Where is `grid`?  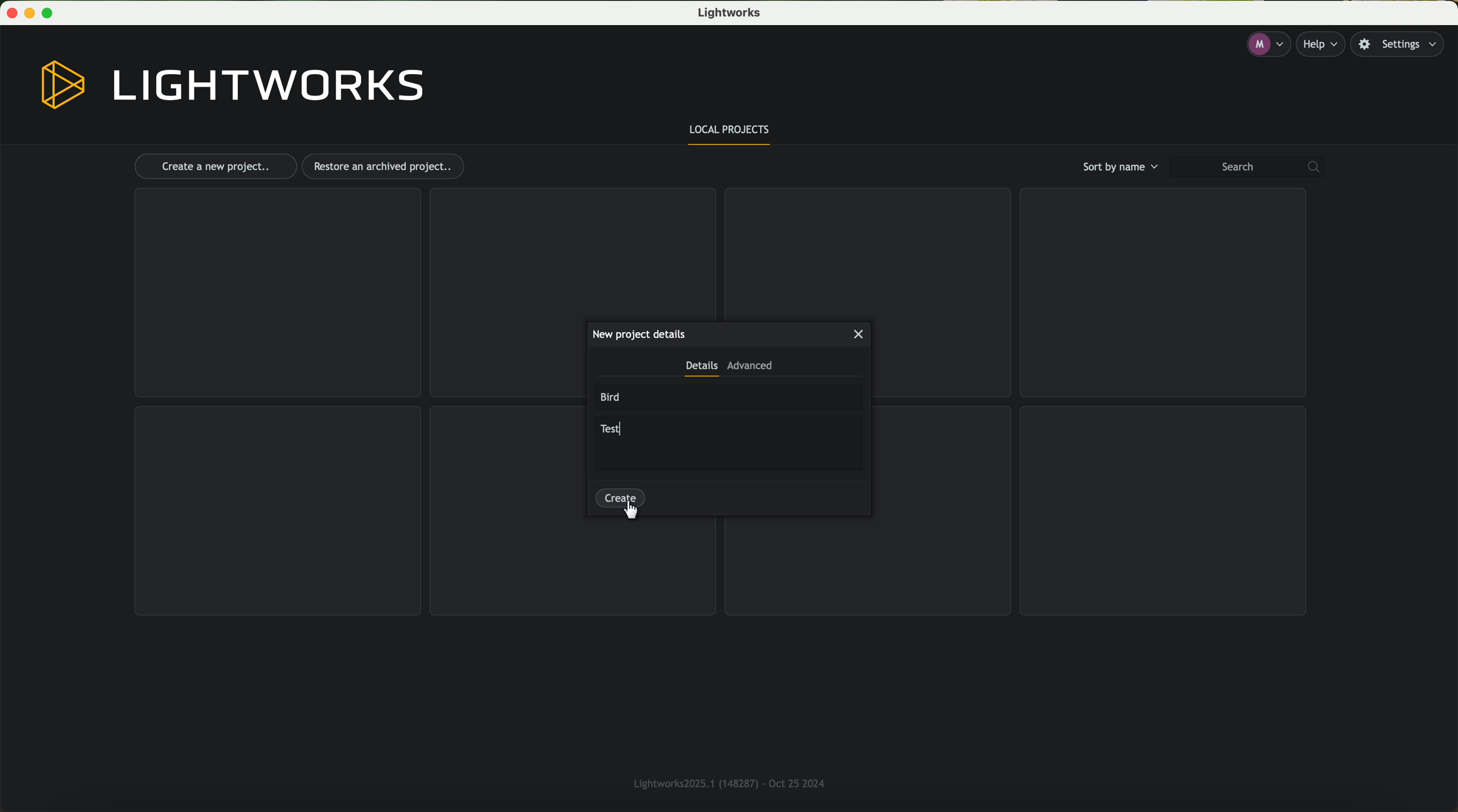 grid is located at coordinates (573, 568).